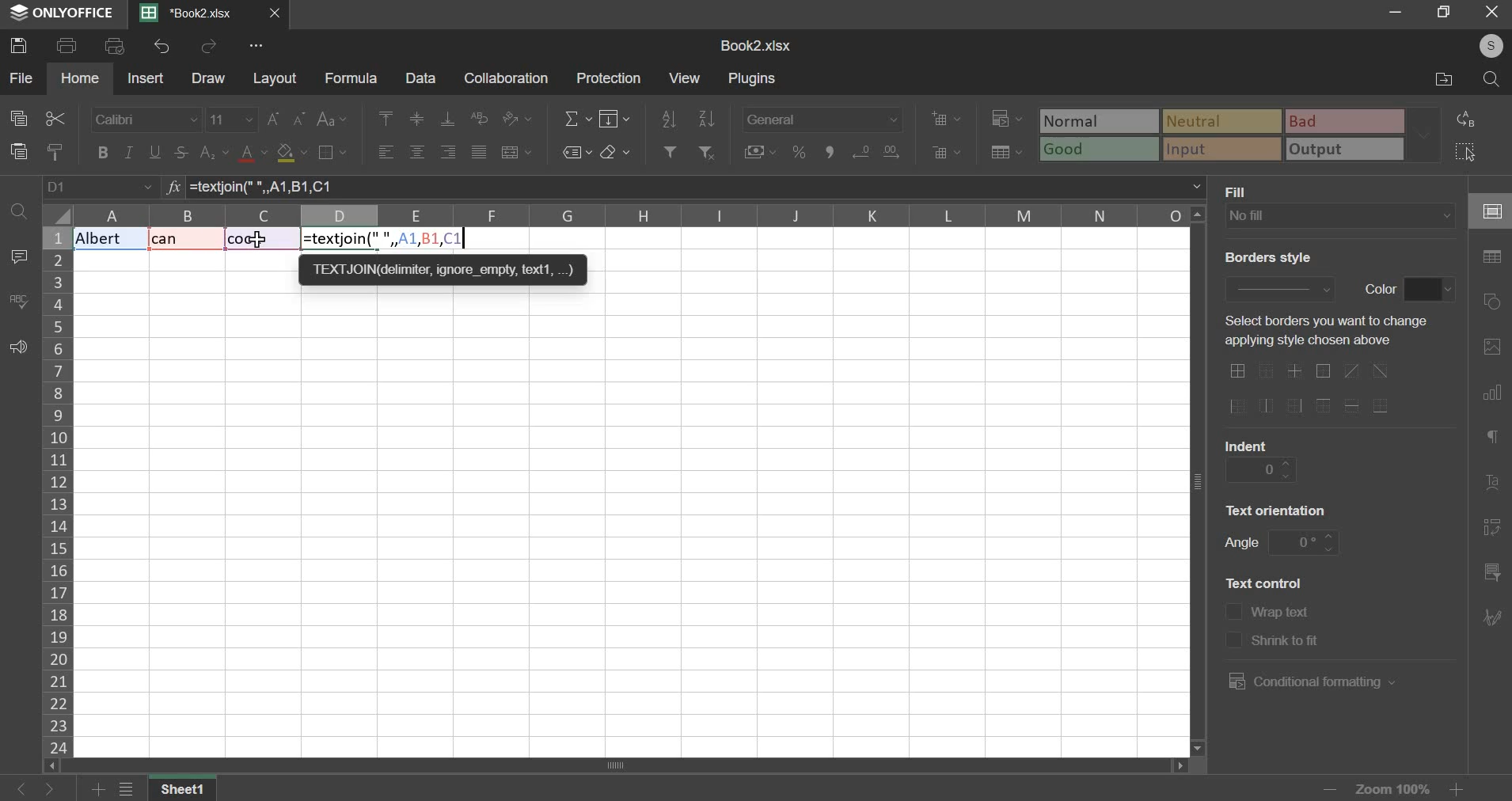 The image size is (1512, 801). Describe the element at coordinates (1233, 626) in the screenshot. I see `text control` at that location.